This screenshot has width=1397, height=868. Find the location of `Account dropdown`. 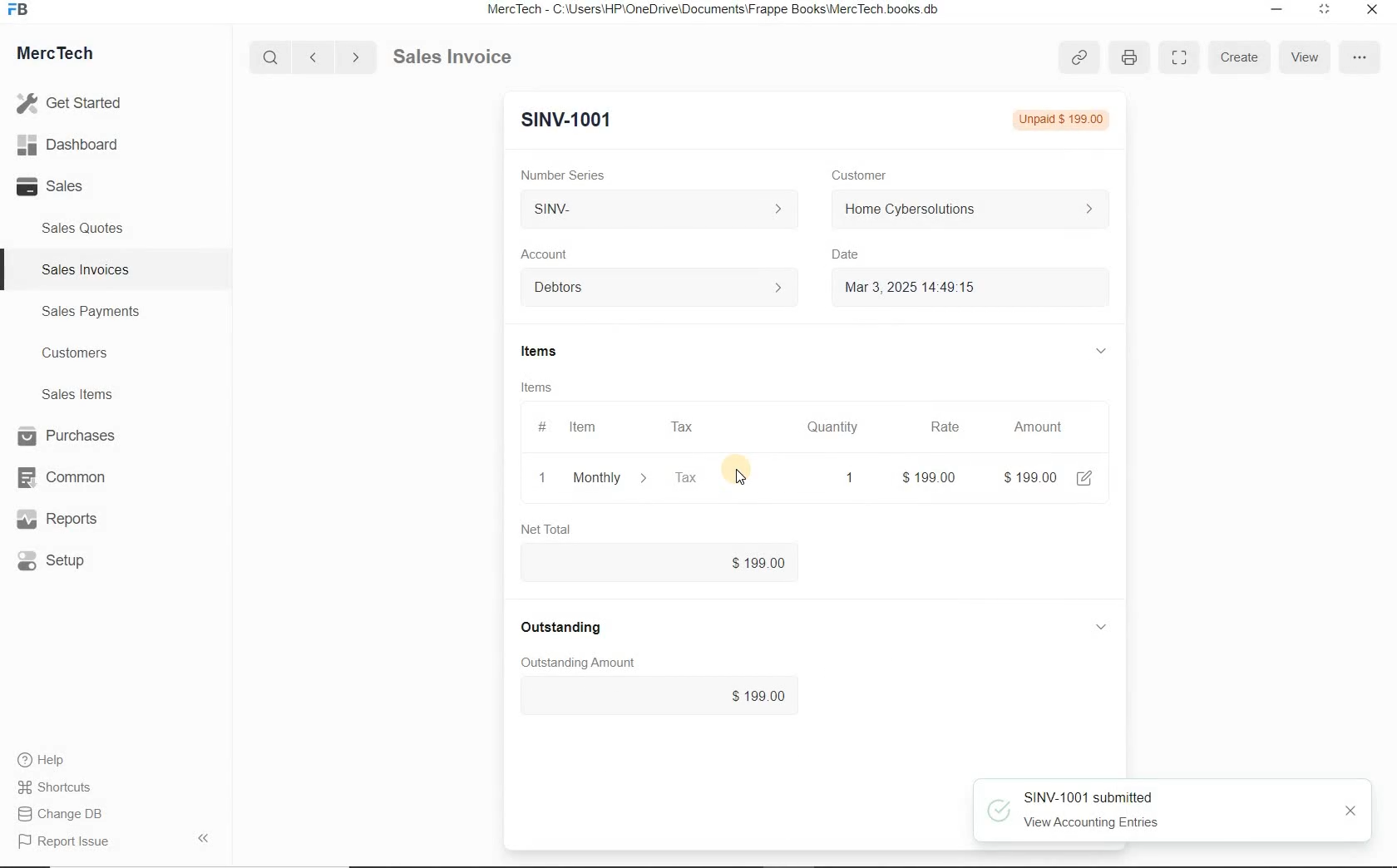

Account dropdown is located at coordinates (659, 289).